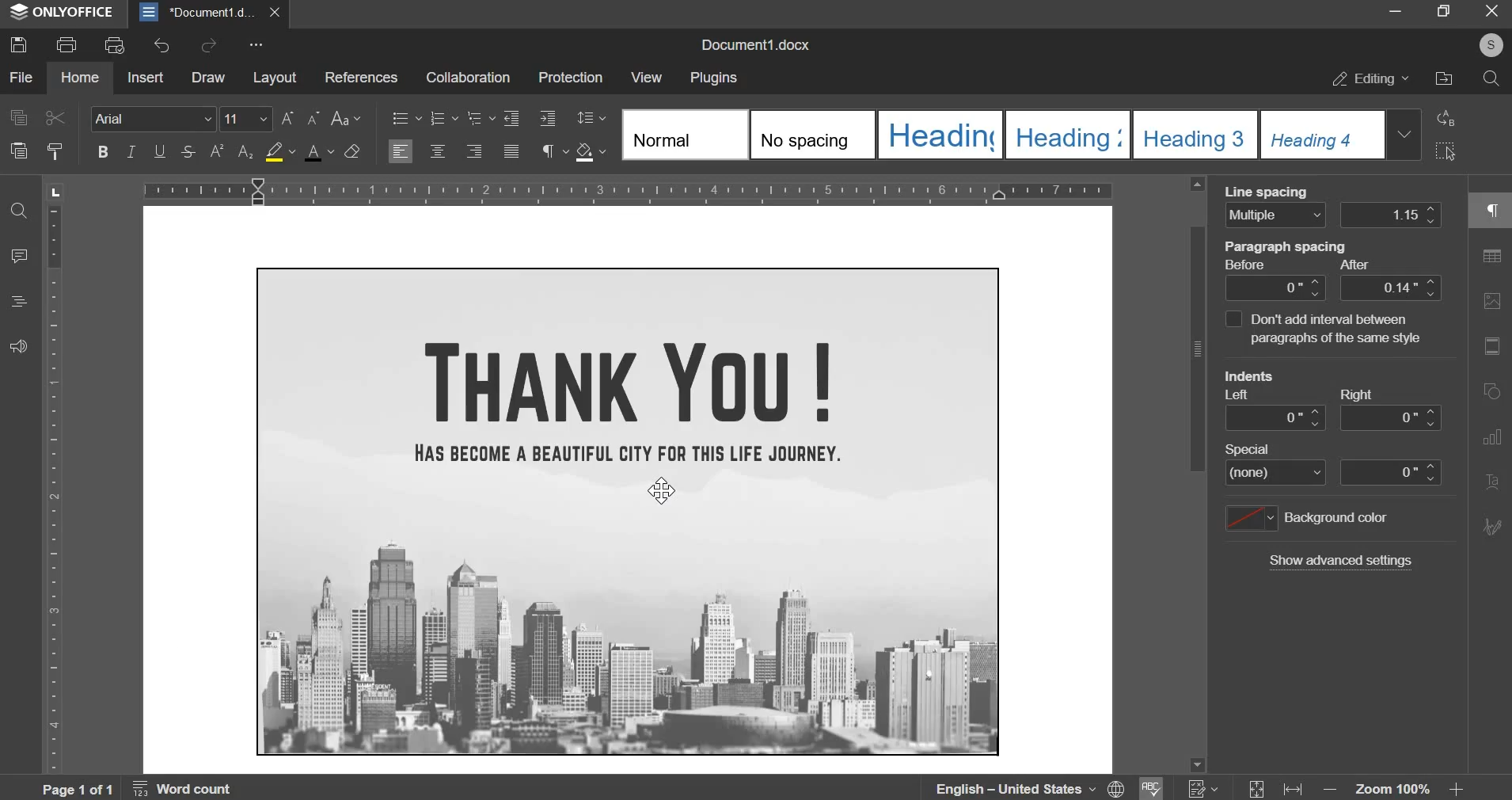  I want to click on Heading 4, so click(1320, 135).